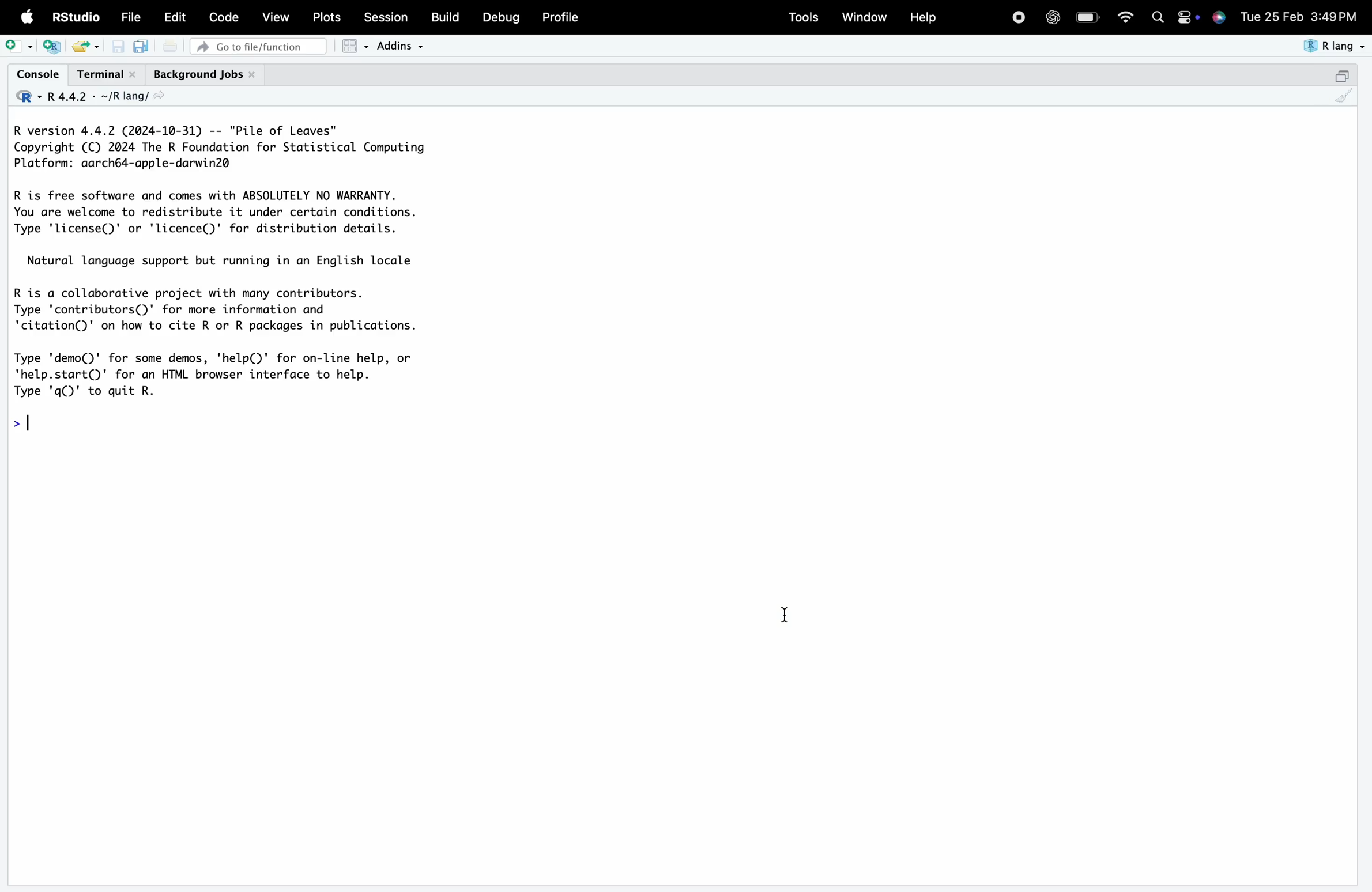 The width and height of the screenshot is (1372, 892). What do you see at coordinates (1335, 46) in the screenshot?
I see `R lang` at bounding box center [1335, 46].